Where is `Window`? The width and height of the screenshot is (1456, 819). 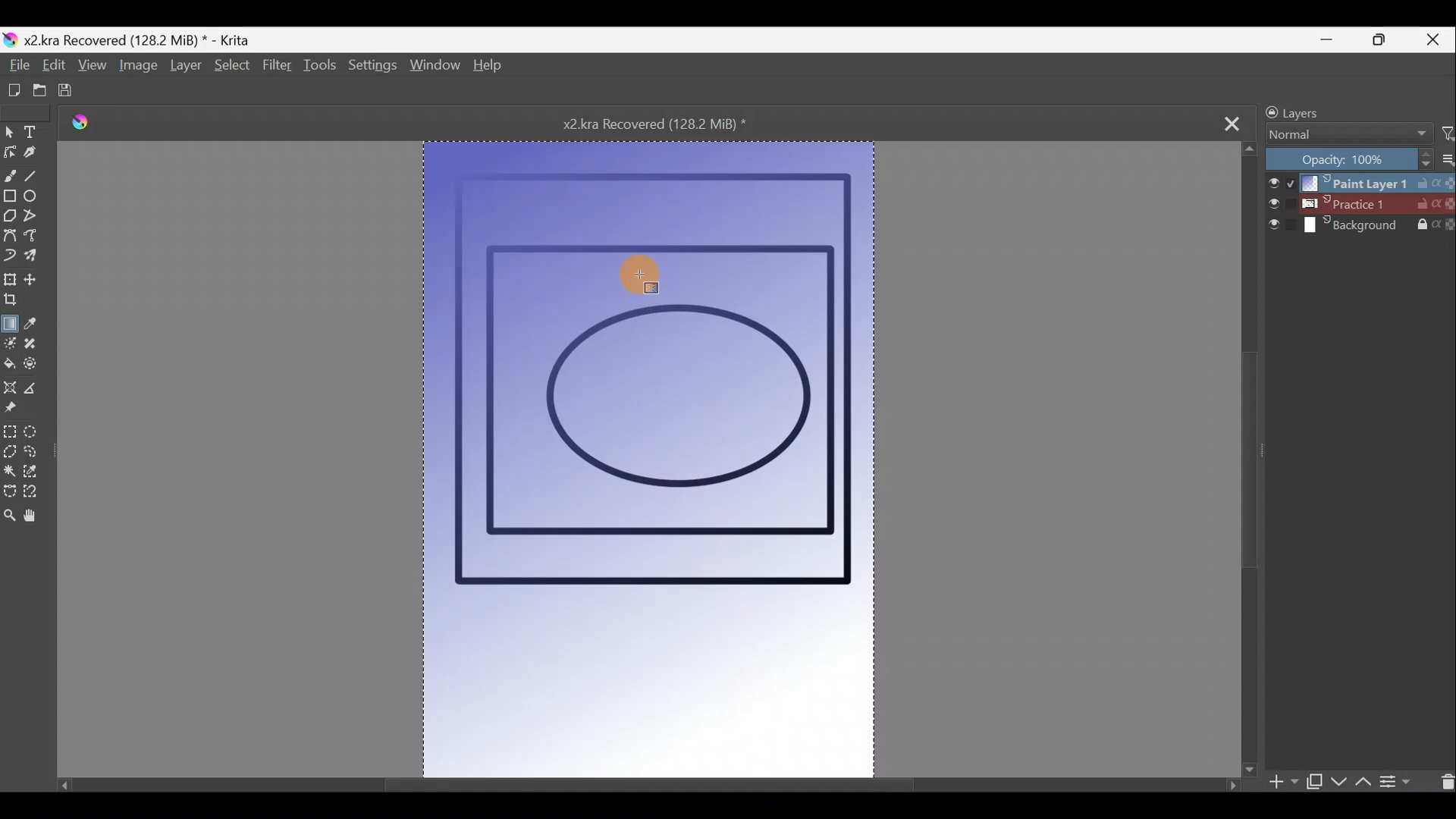 Window is located at coordinates (435, 68).